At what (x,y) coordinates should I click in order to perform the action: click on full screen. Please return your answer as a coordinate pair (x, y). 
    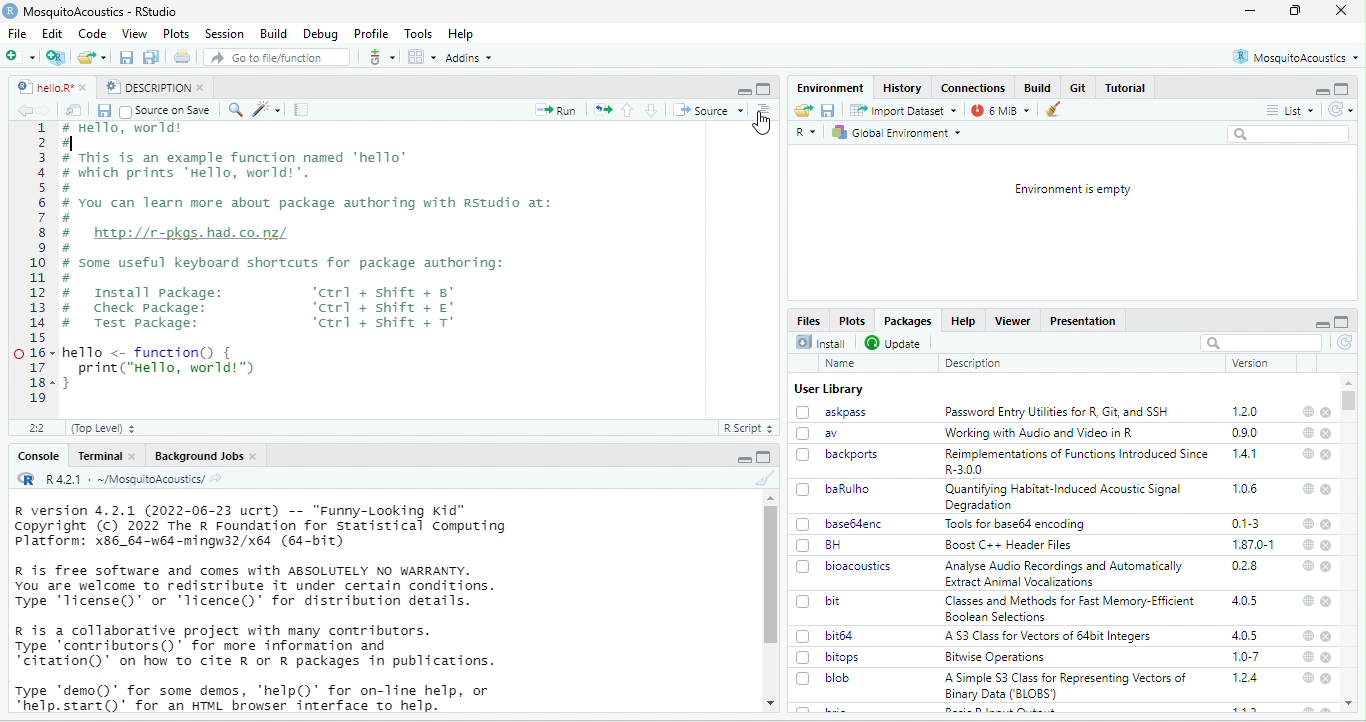
    Looking at the image, I should click on (1294, 10).